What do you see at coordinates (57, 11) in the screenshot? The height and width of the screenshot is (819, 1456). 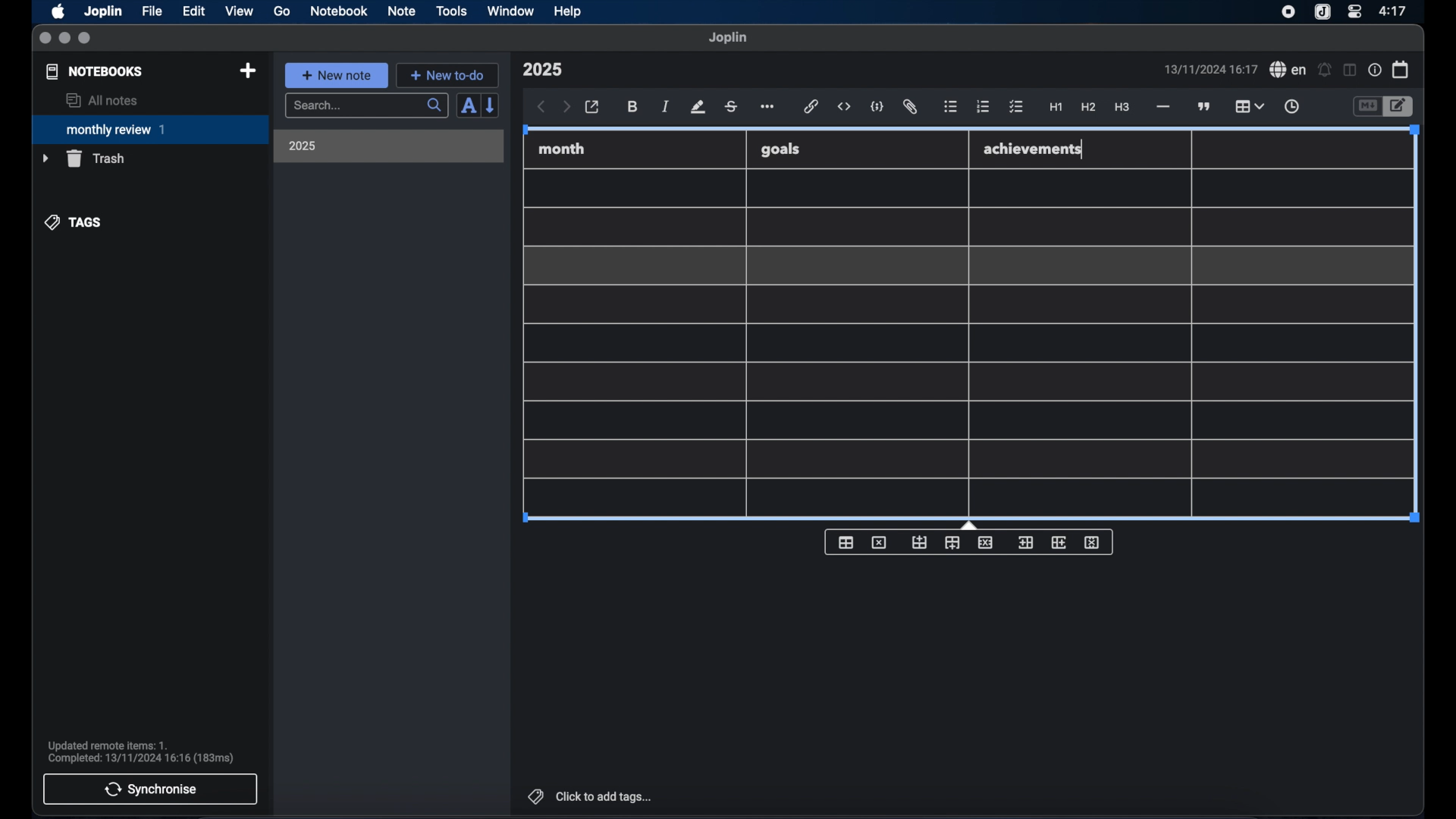 I see `apple icon` at bounding box center [57, 11].